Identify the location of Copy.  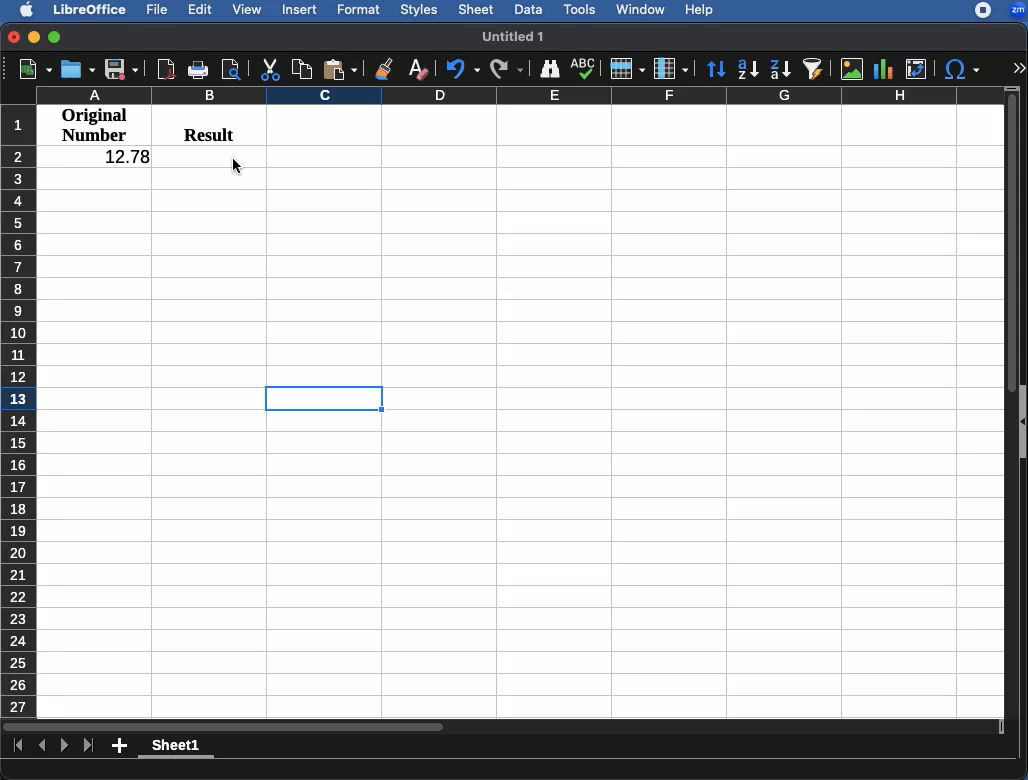
(301, 68).